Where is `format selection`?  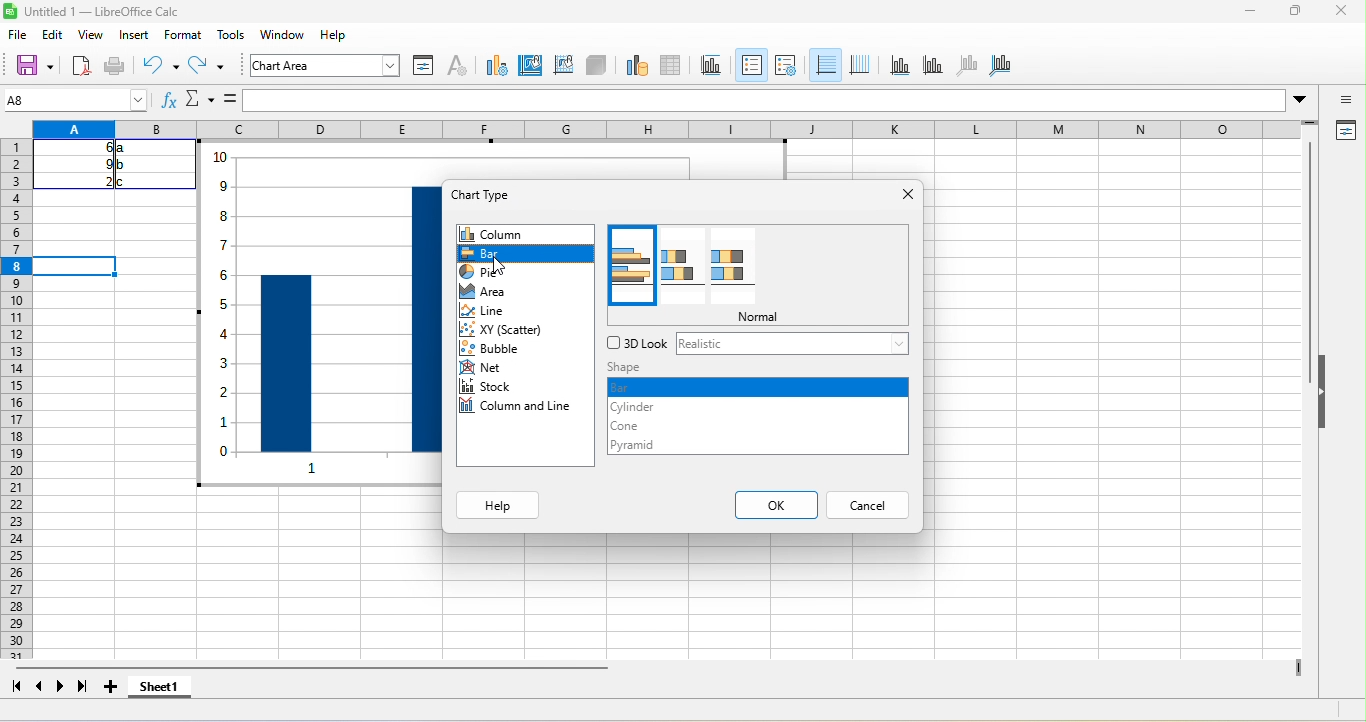
format selection is located at coordinates (422, 67).